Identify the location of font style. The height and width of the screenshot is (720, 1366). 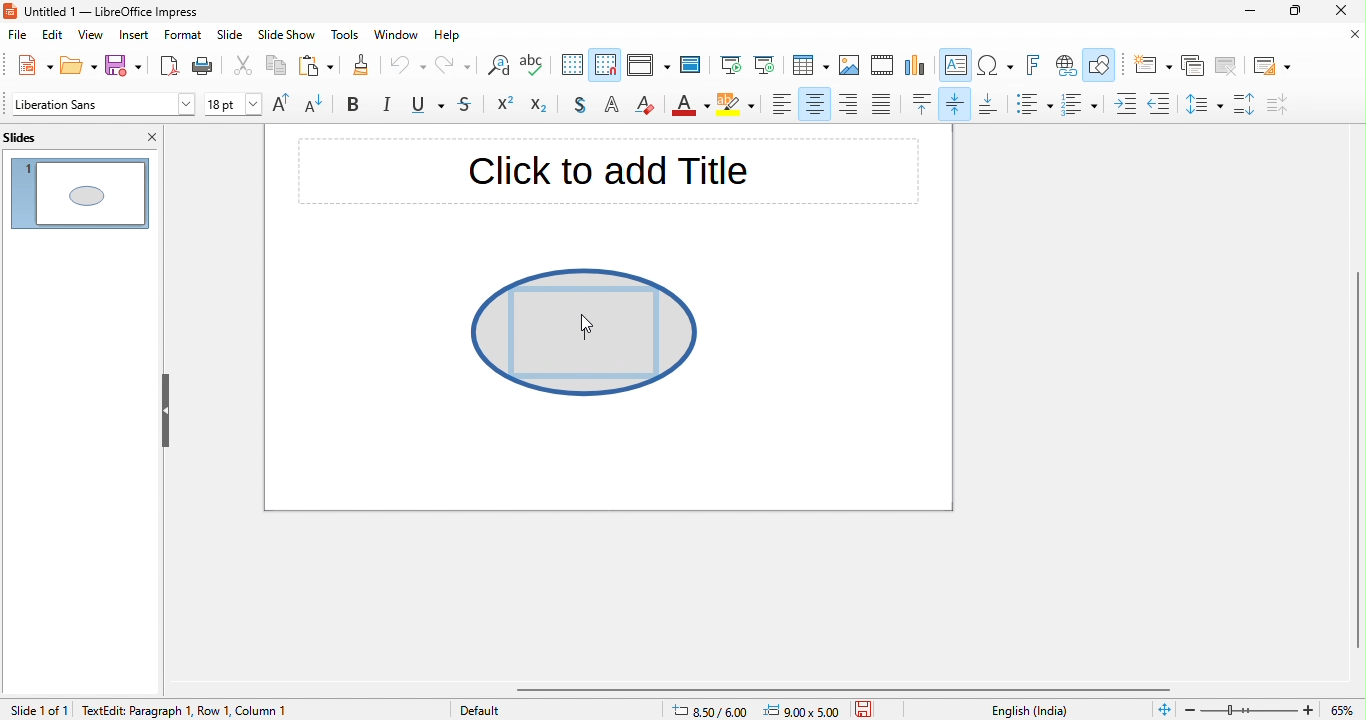
(101, 106).